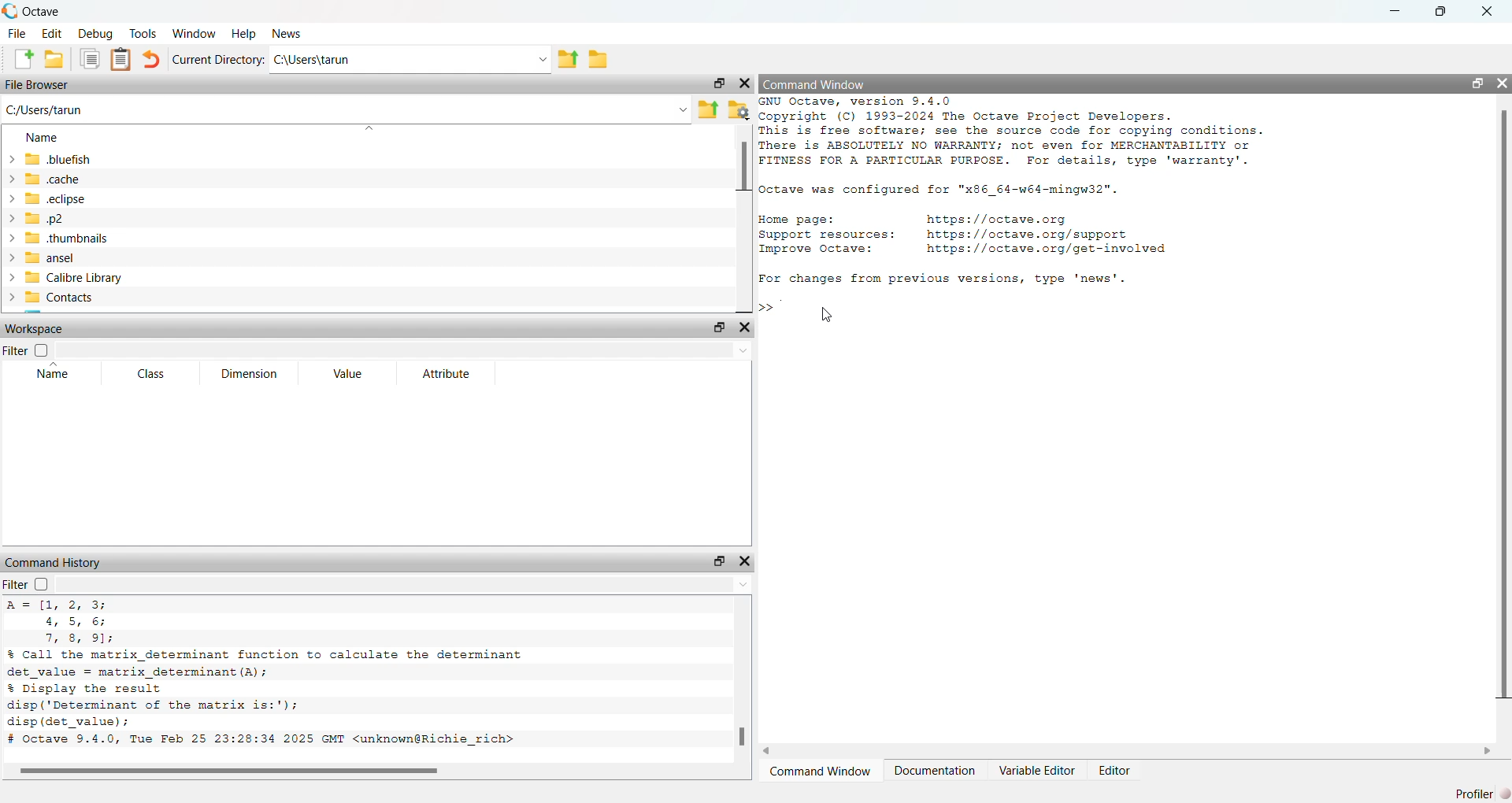  Describe the element at coordinates (195, 32) in the screenshot. I see `window` at that location.